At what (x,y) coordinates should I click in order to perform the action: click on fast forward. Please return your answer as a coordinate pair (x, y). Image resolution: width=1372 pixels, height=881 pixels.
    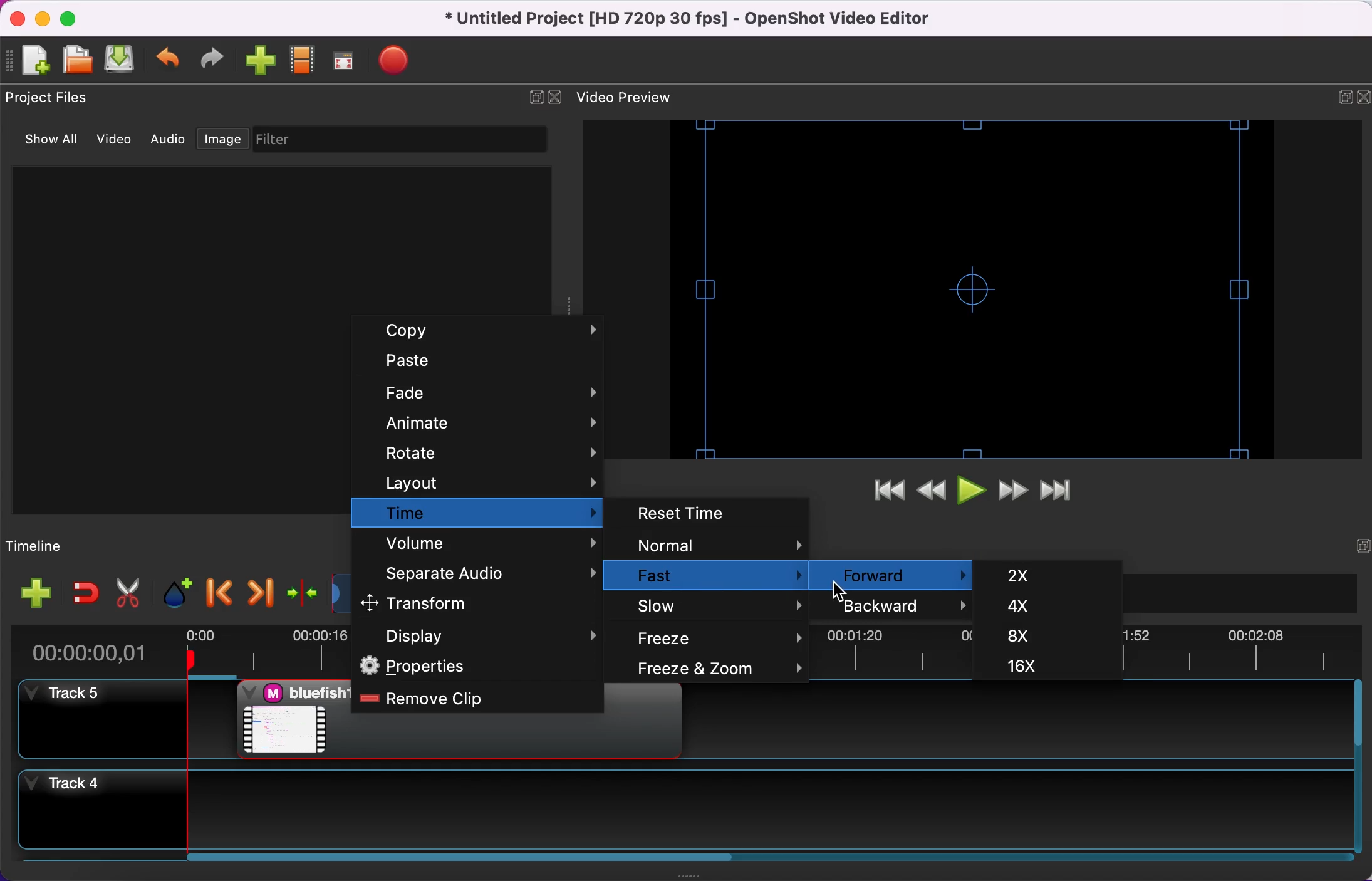
    Looking at the image, I should click on (1014, 491).